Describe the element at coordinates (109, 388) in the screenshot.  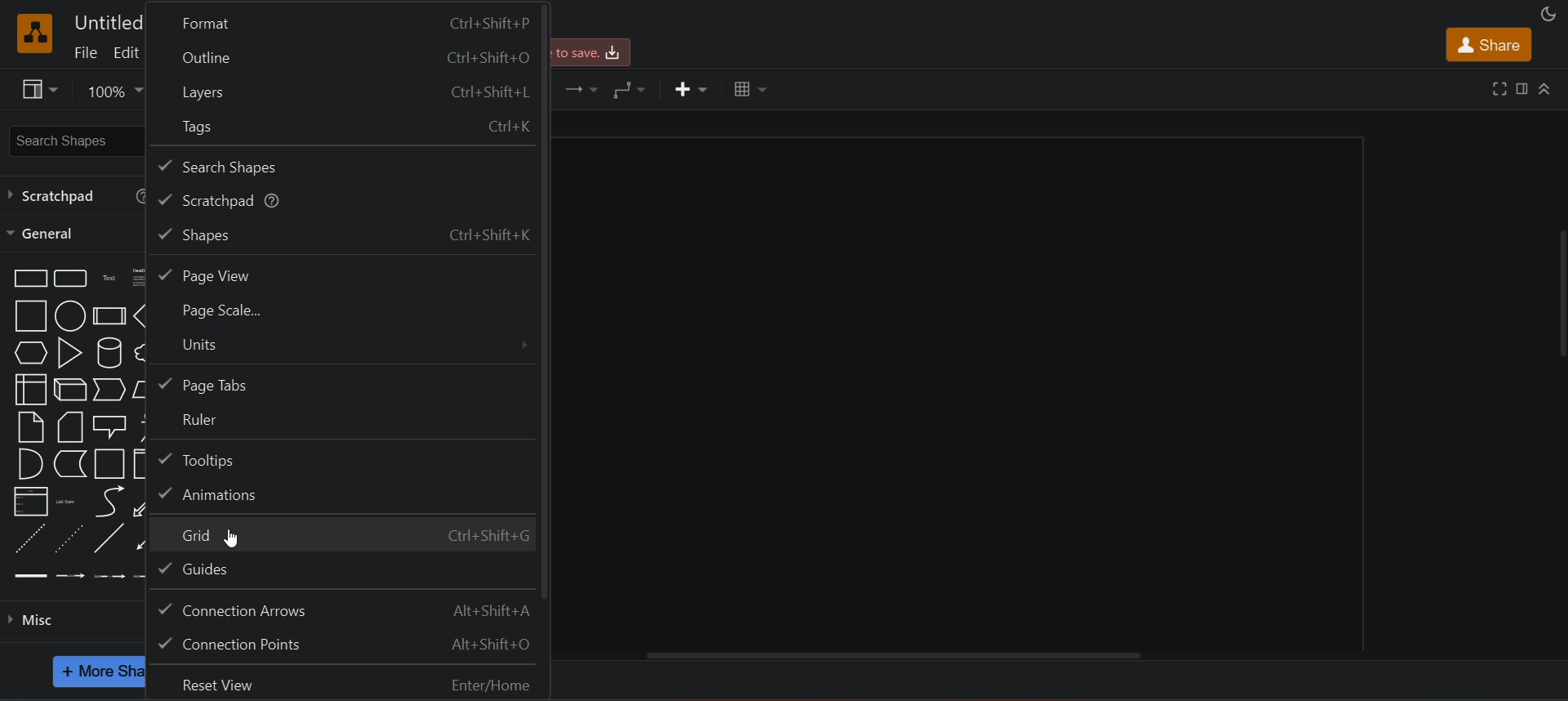
I see `step` at that location.